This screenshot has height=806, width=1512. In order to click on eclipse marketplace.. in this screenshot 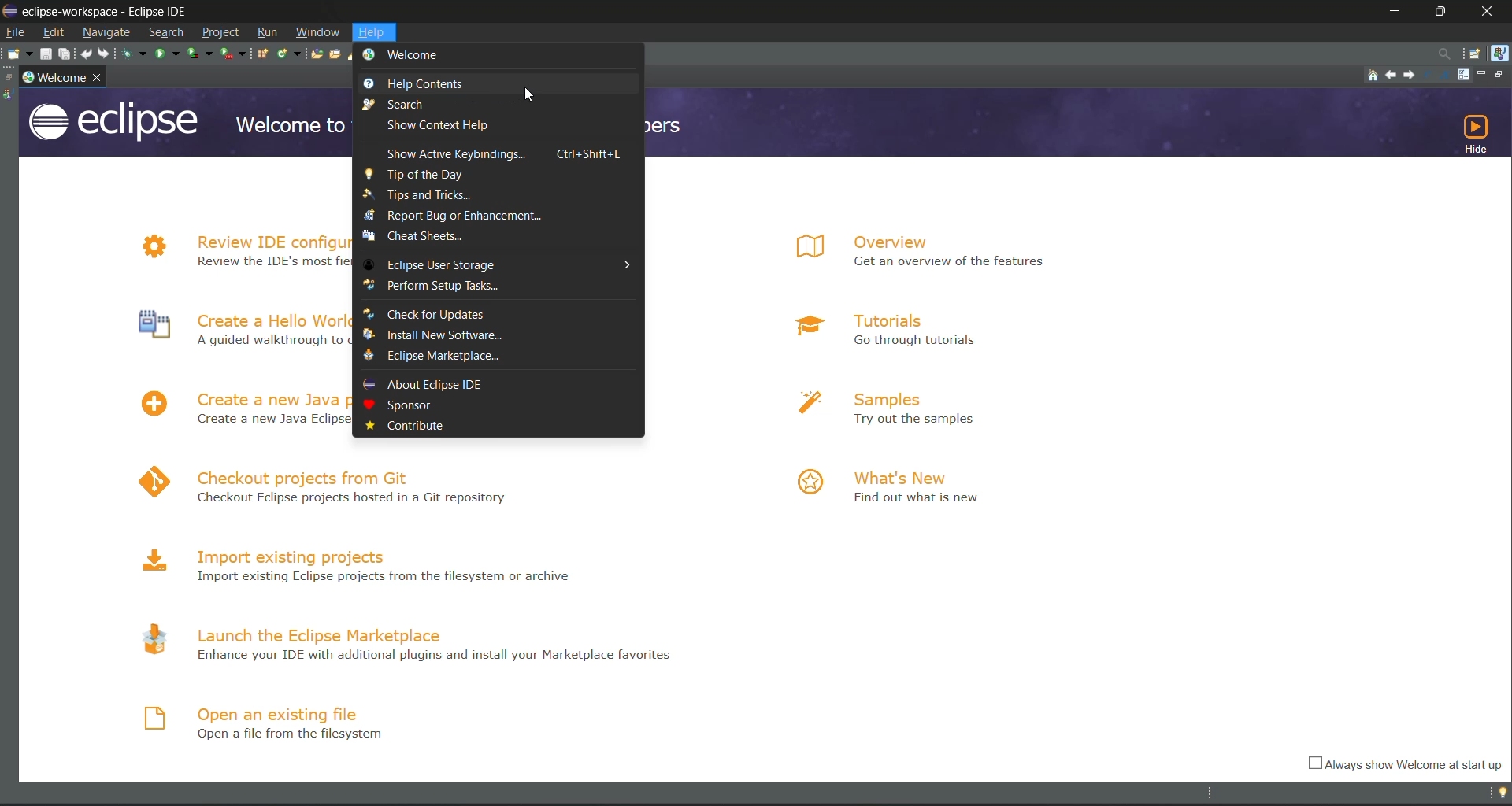, I will do `click(447, 356)`.